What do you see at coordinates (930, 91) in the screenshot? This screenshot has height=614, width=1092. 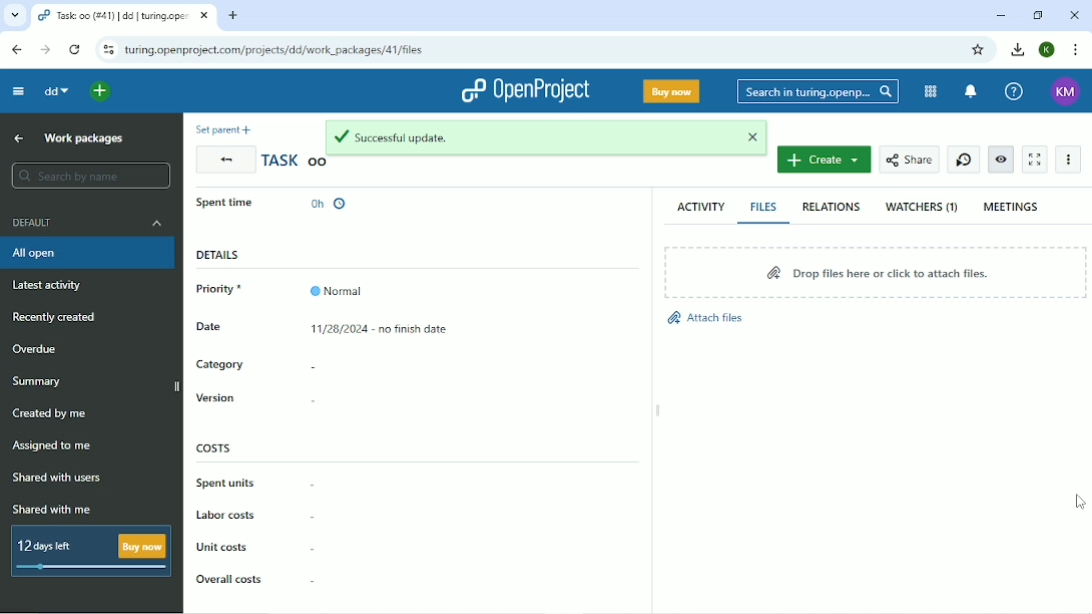 I see `Modules` at bounding box center [930, 91].